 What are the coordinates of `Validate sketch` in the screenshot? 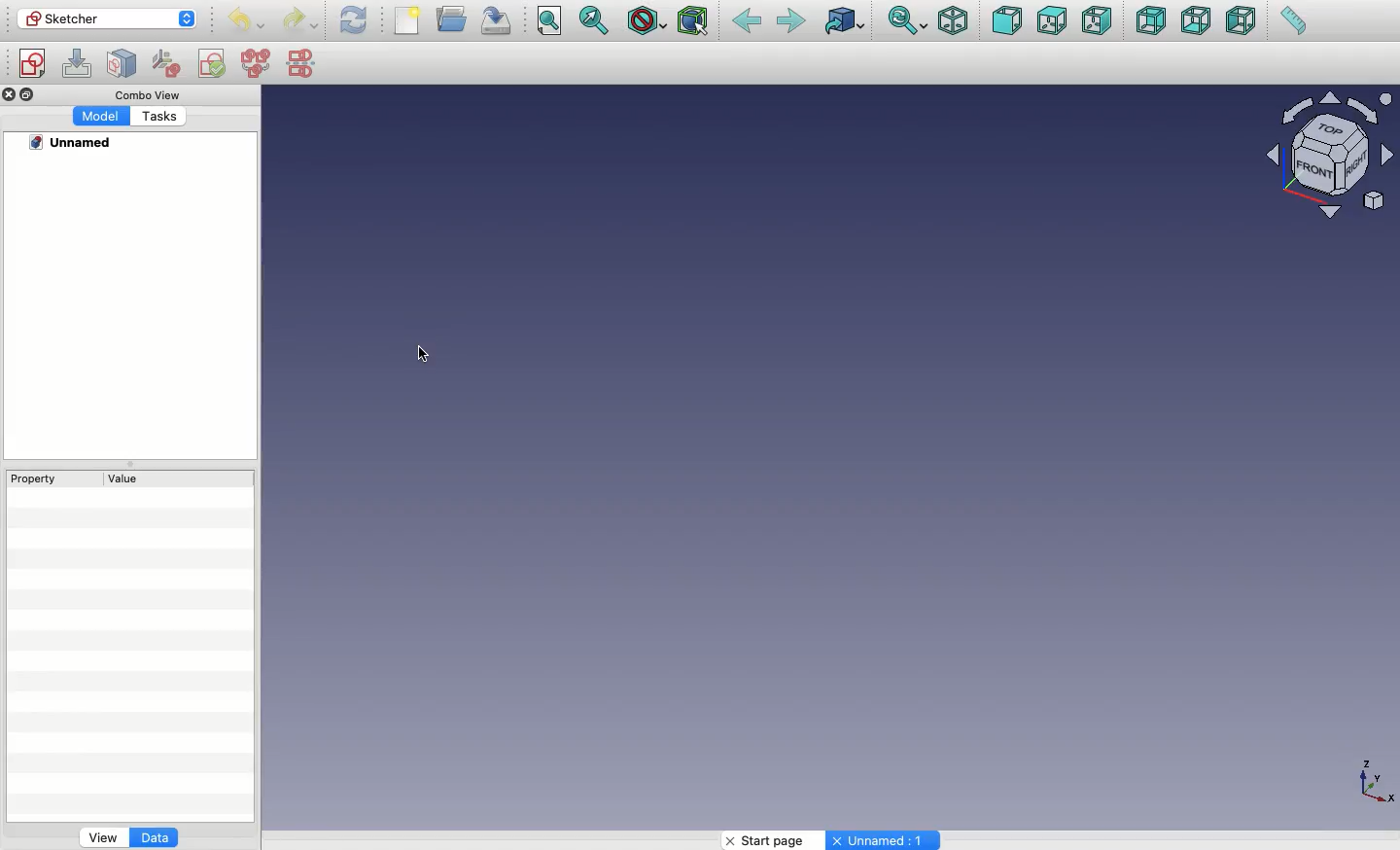 It's located at (212, 66).